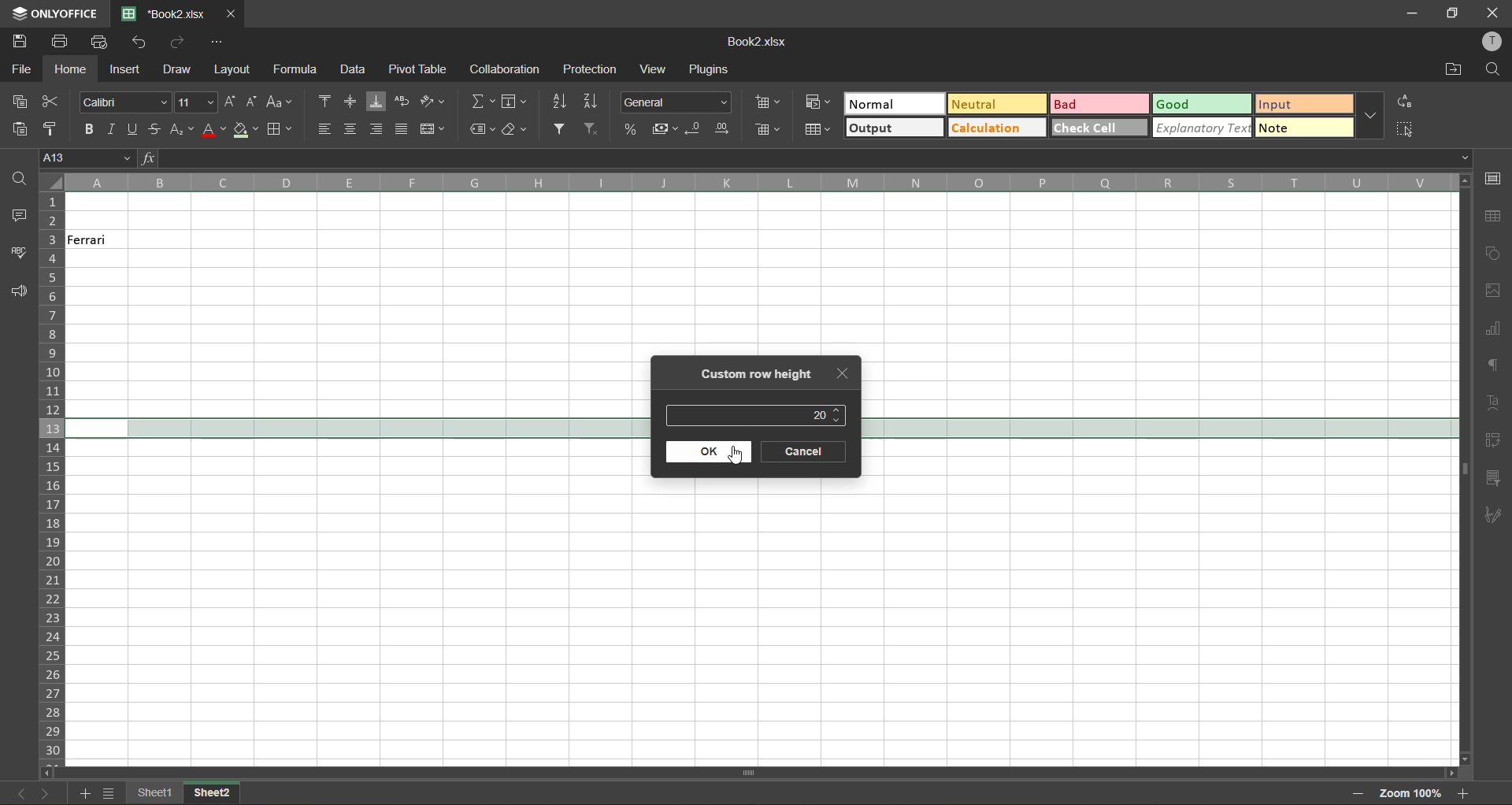 This screenshot has height=805, width=1512. I want to click on images, so click(1495, 295).